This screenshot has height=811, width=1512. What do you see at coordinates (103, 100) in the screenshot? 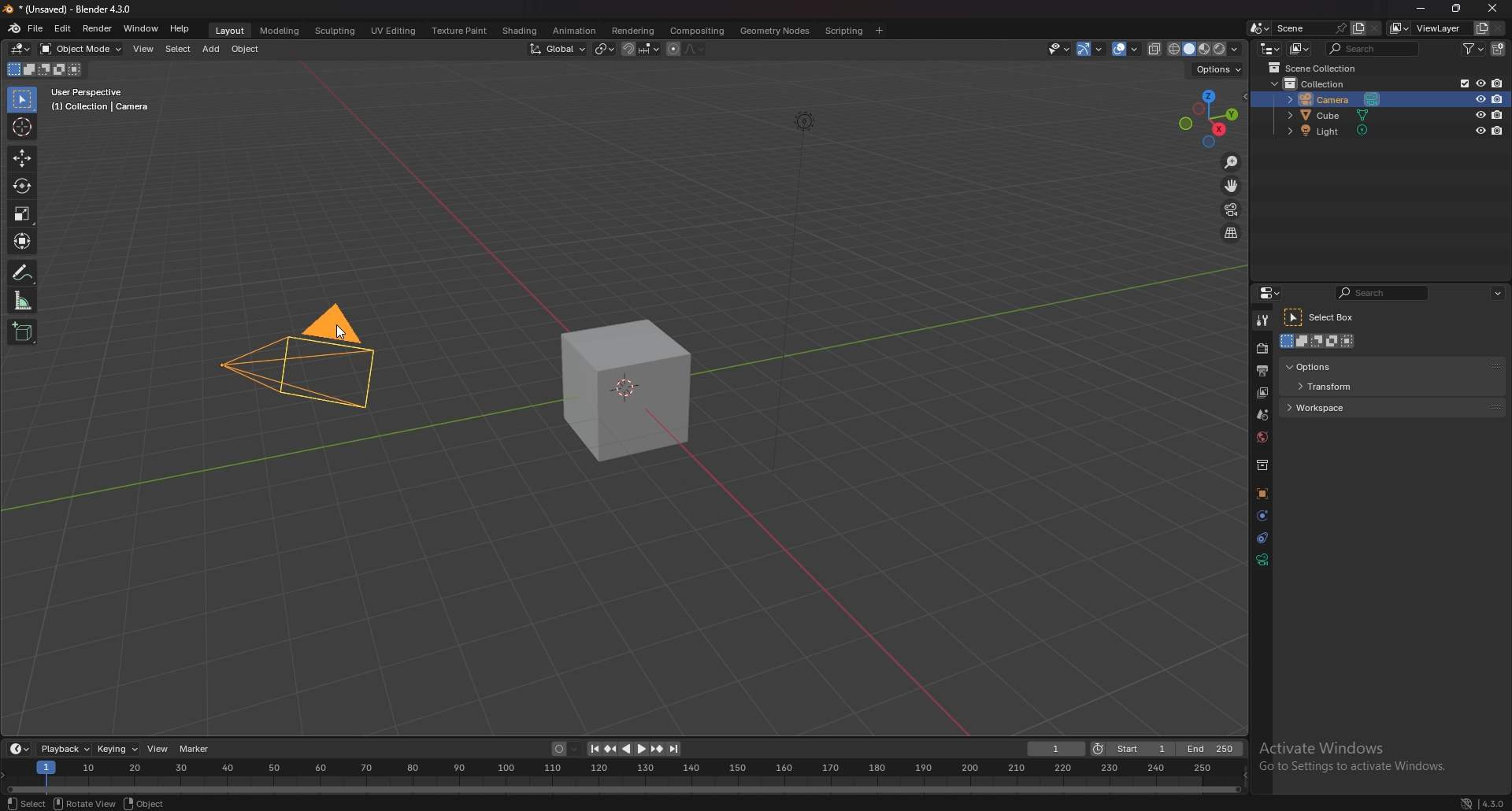
I see `info` at bounding box center [103, 100].